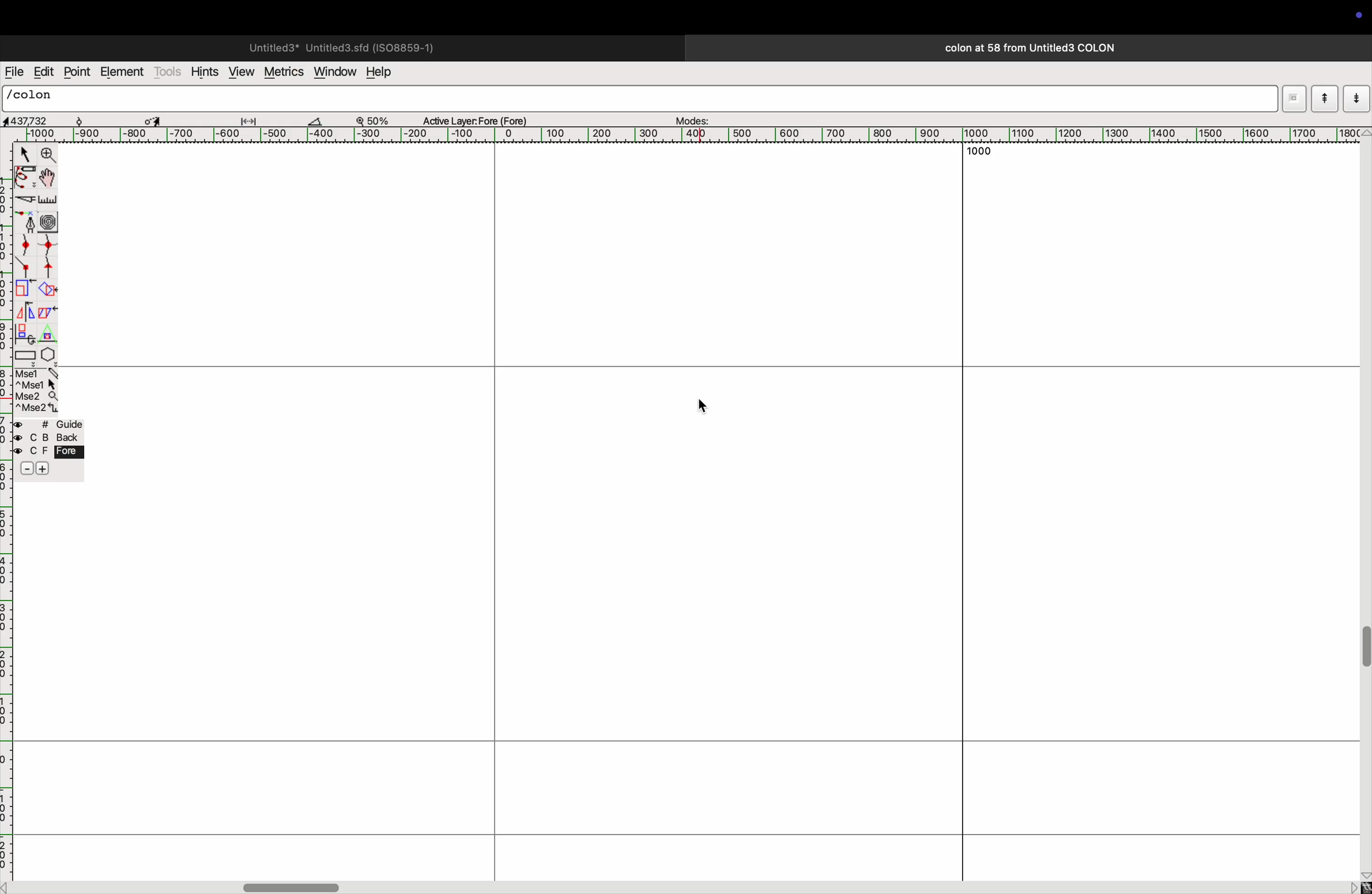 This screenshot has height=894, width=1372. Describe the element at coordinates (91, 119) in the screenshot. I see `snow` at that location.